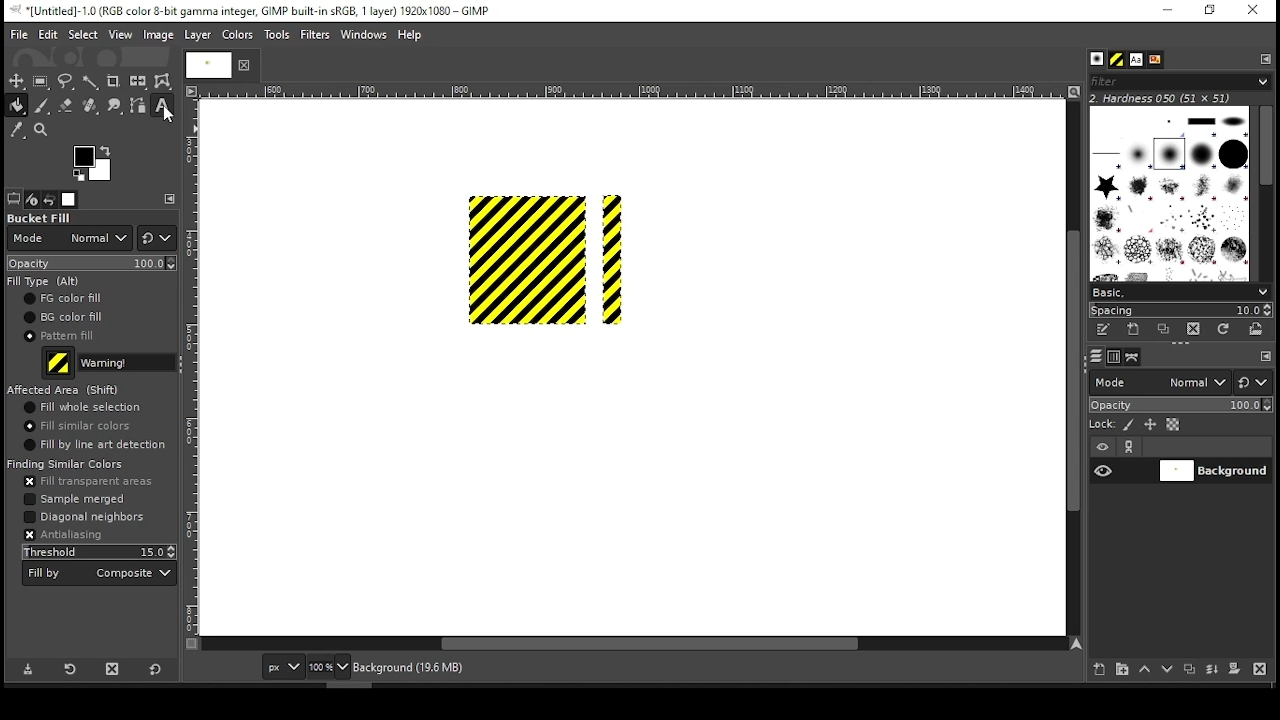  I want to click on windows, so click(365, 36).